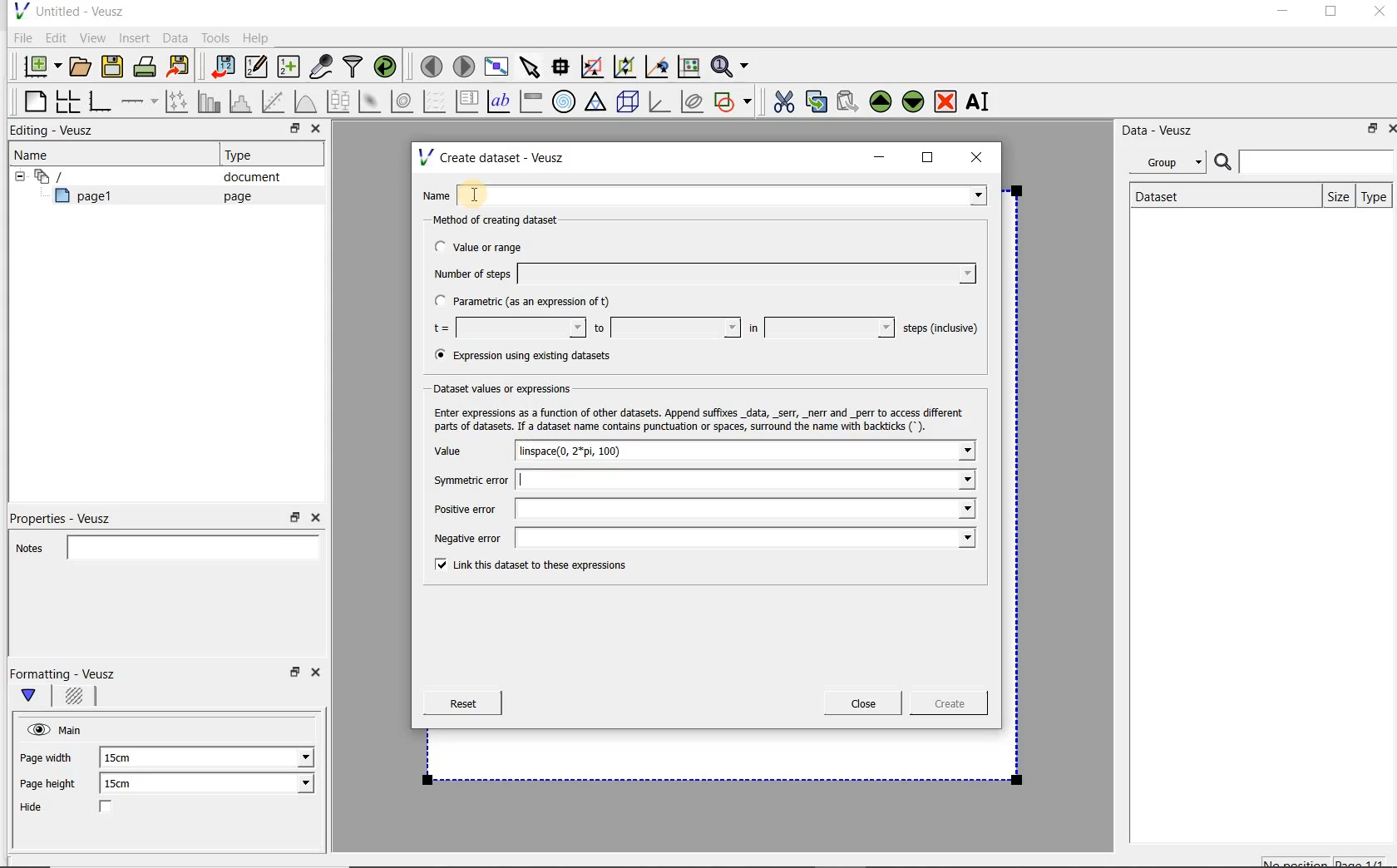 Image resolution: width=1397 pixels, height=868 pixels. What do you see at coordinates (322, 69) in the screenshot?
I see `capture remote data` at bounding box center [322, 69].